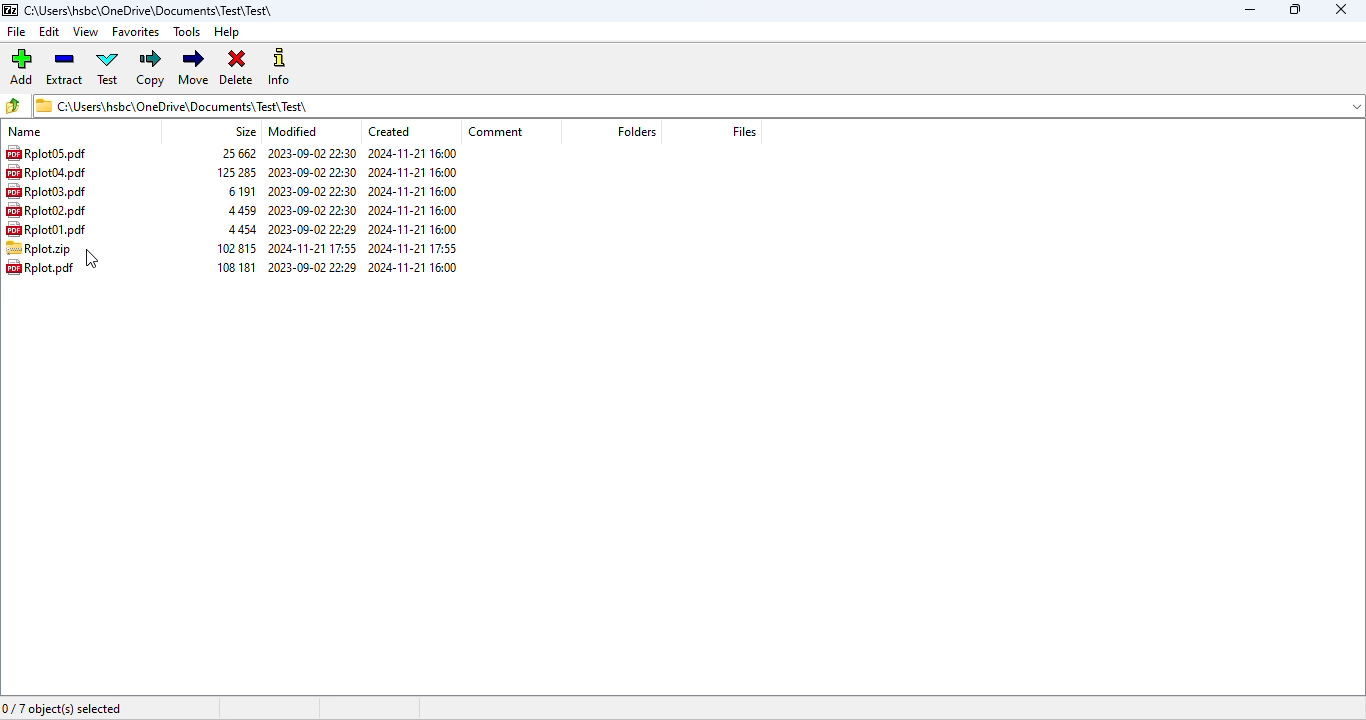 This screenshot has width=1366, height=720. What do you see at coordinates (279, 67) in the screenshot?
I see `info` at bounding box center [279, 67].